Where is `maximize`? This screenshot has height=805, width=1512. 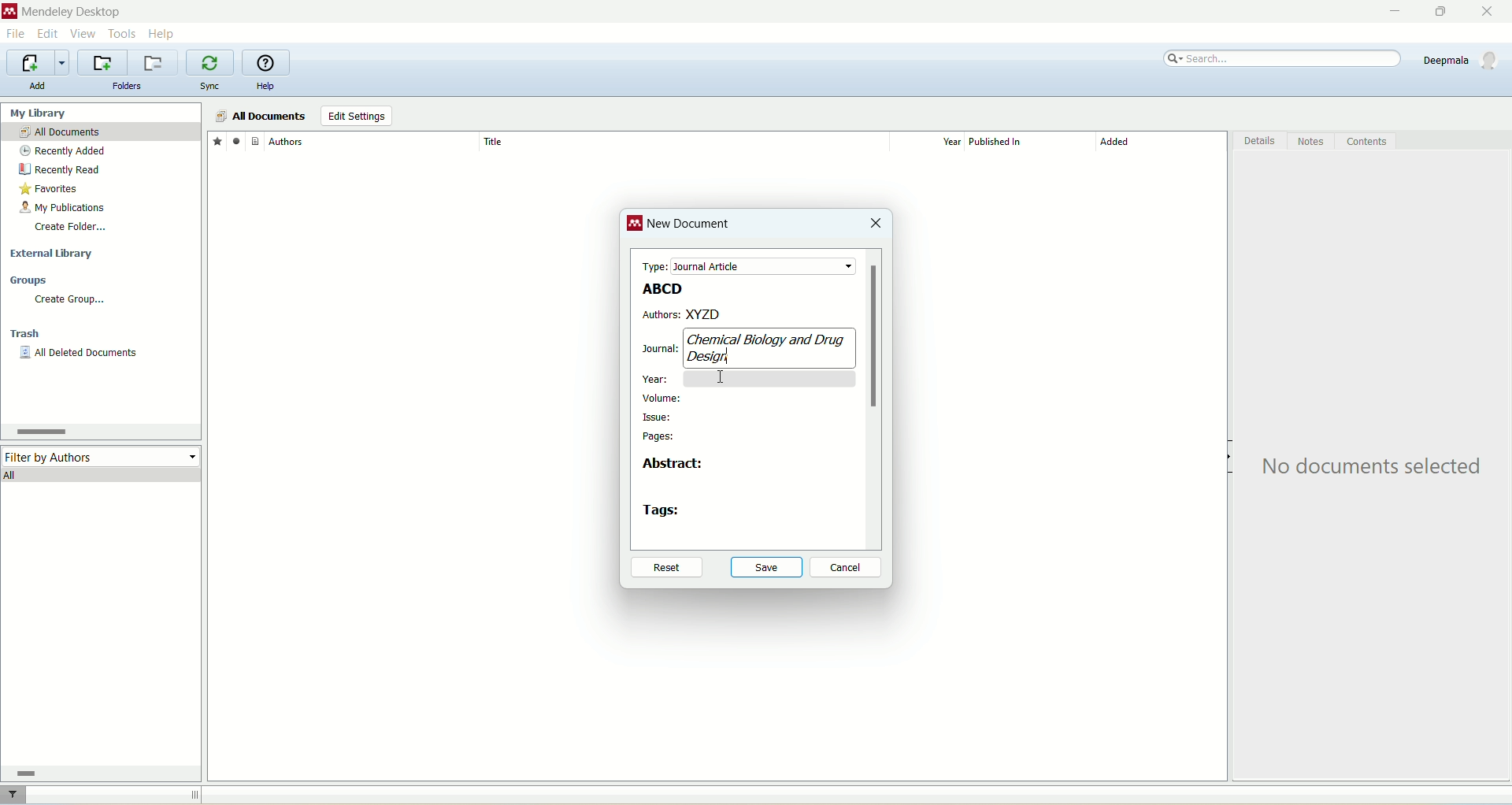 maximize is located at coordinates (1437, 12).